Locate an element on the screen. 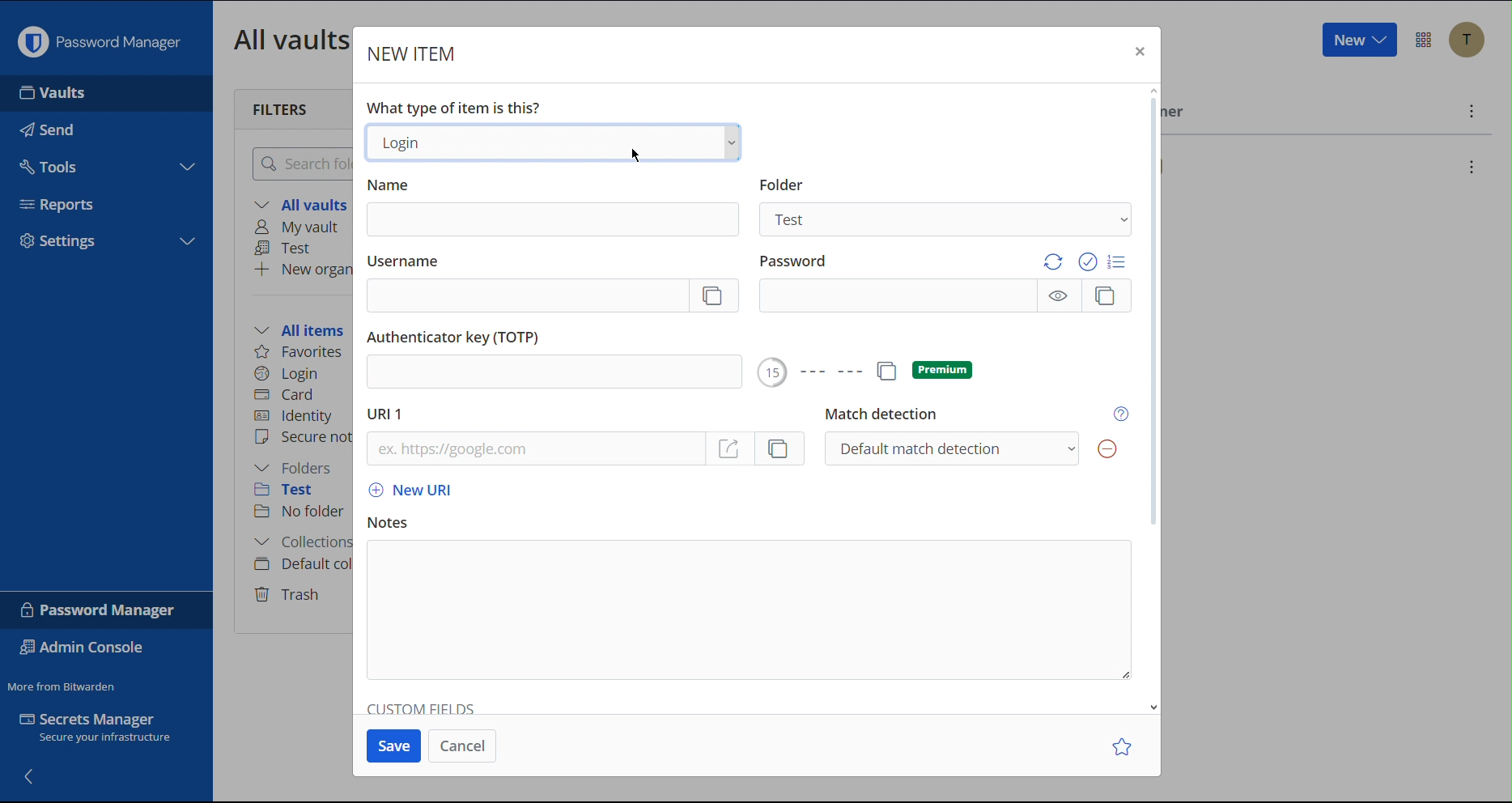 Image resolution: width=1512 pixels, height=803 pixels. New is located at coordinates (1358, 40).